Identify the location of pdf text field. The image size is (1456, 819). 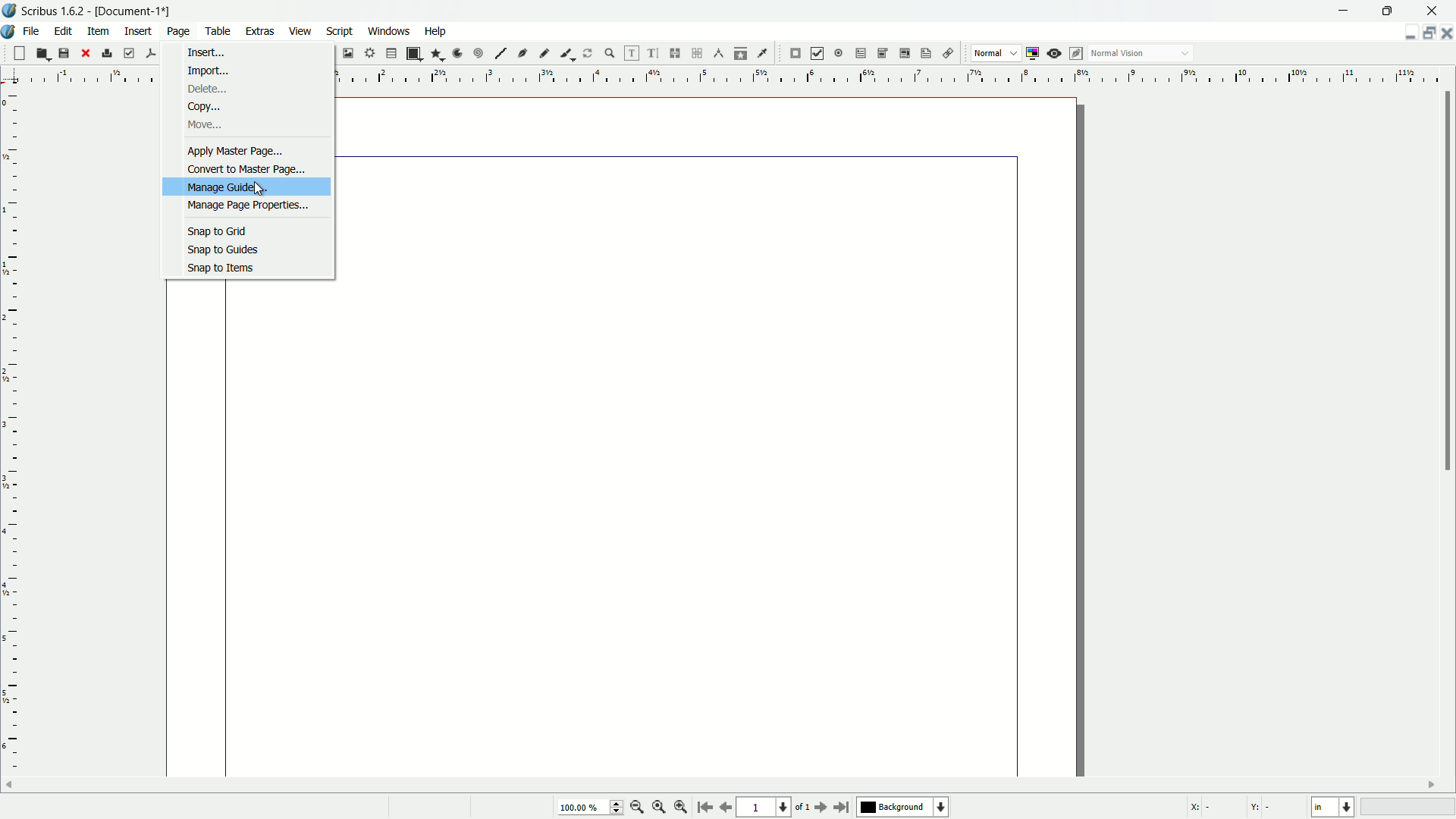
(858, 54).